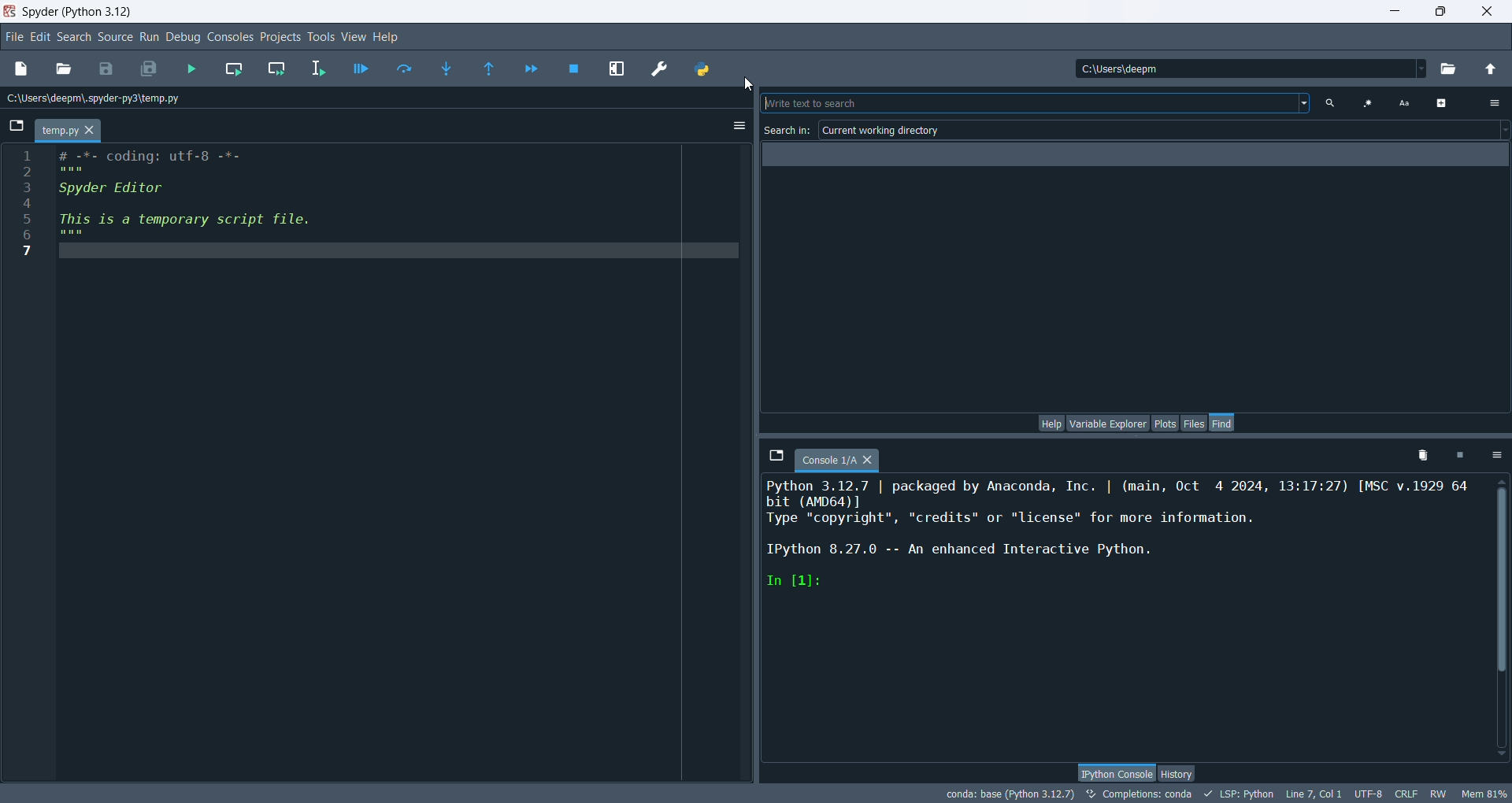 The height and width of the screenshot is (803, 1512). I want to click on RW, so click(1439, 794).